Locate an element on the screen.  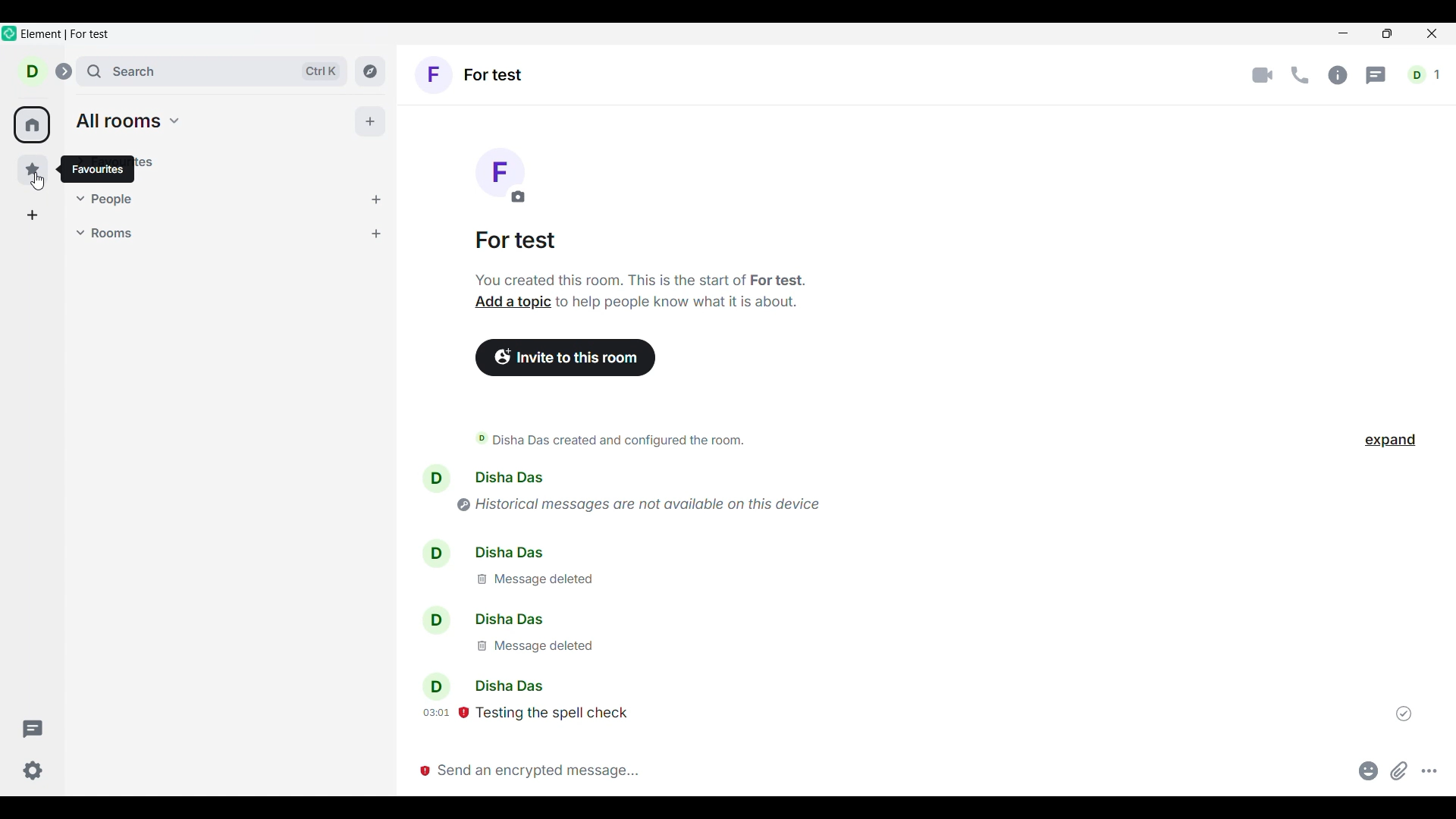
disha das created and configured the room is located at coordinates (611, 439).